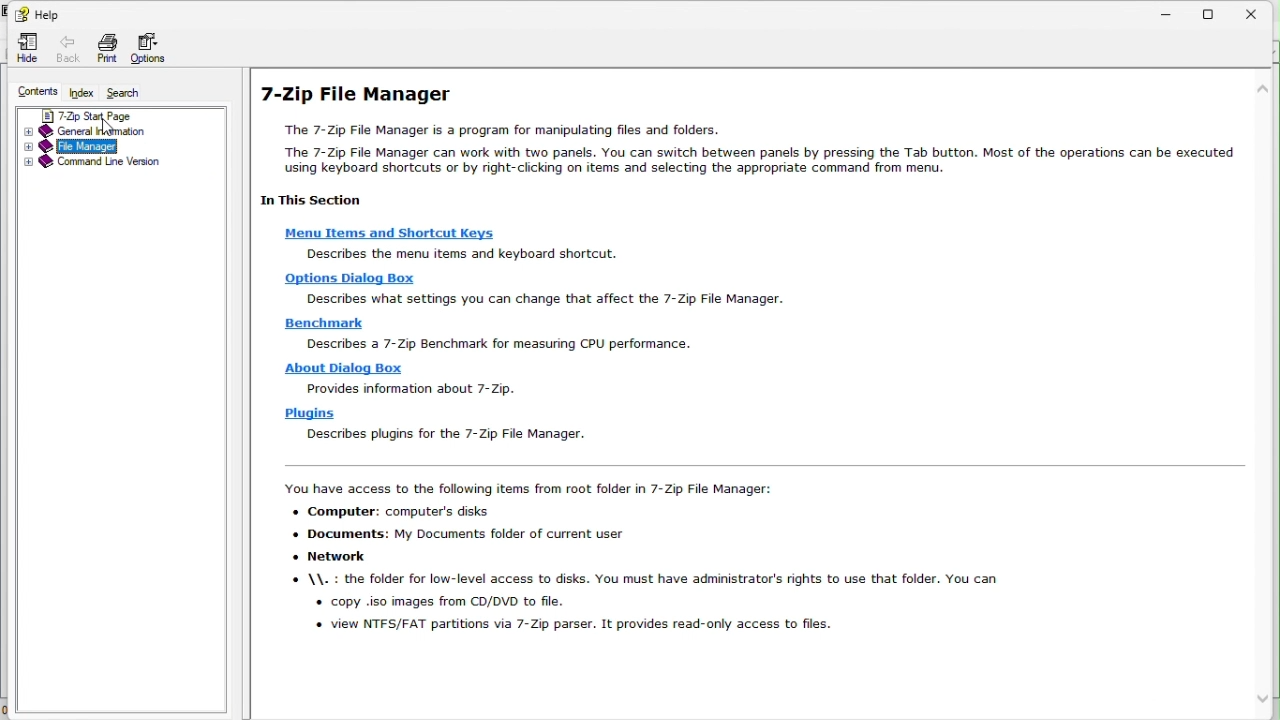 The width and height of the screenshot is (1280, 720). Describe the element at coordinates (1167, 12) in the screenshot. I see `Minimize` at that location.